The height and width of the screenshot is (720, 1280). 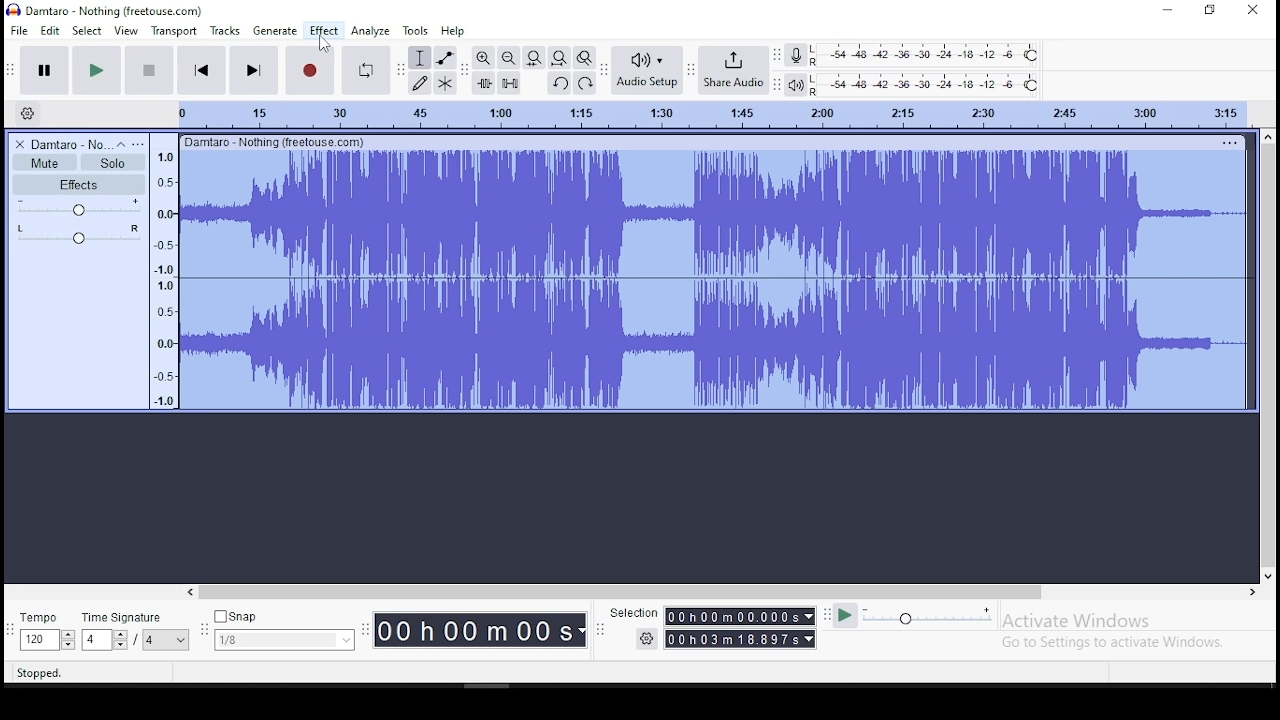 I want to click on track options, so click(x=1230, y=141).